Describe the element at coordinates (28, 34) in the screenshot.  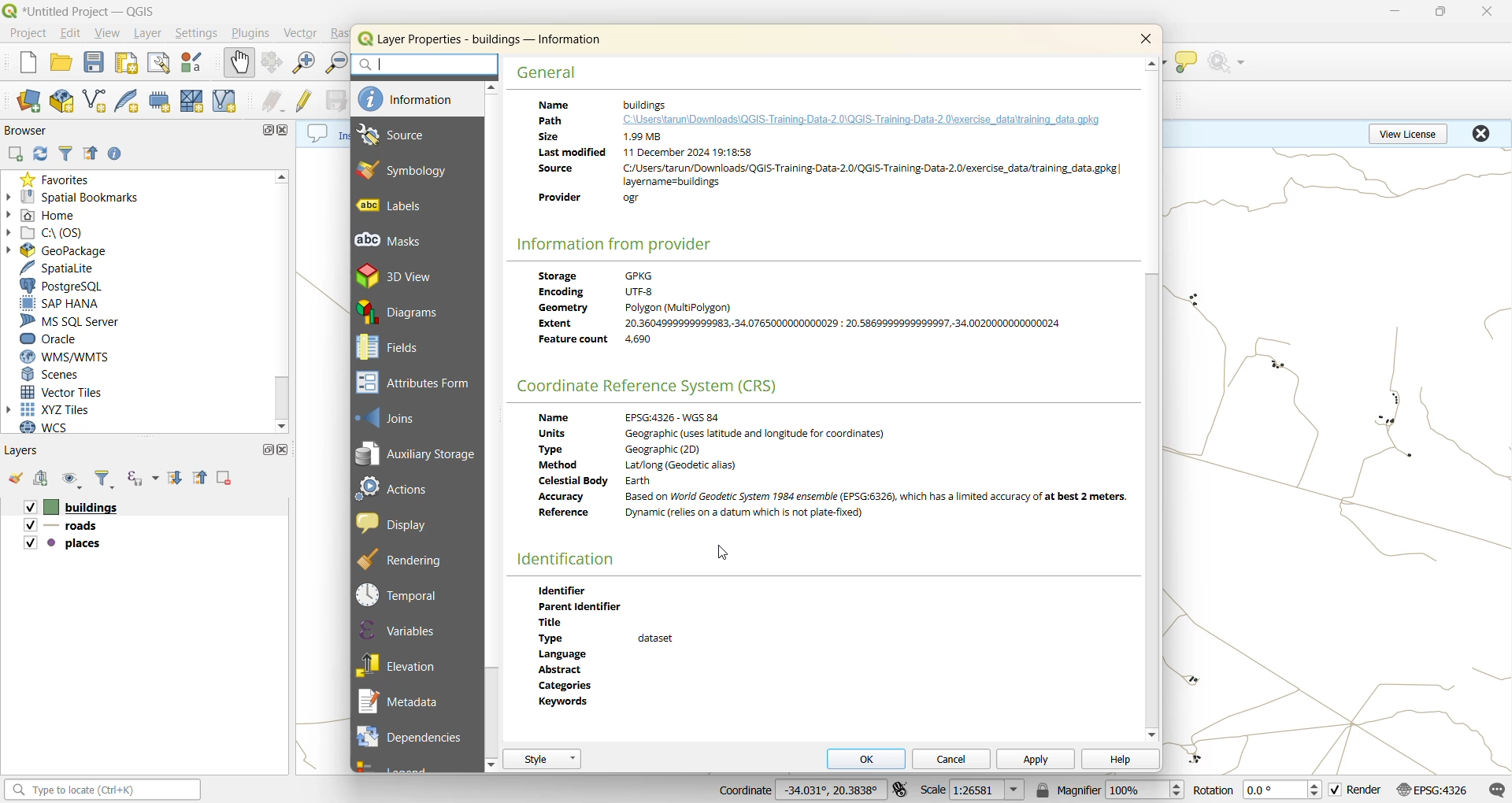
I see `file` at that location.